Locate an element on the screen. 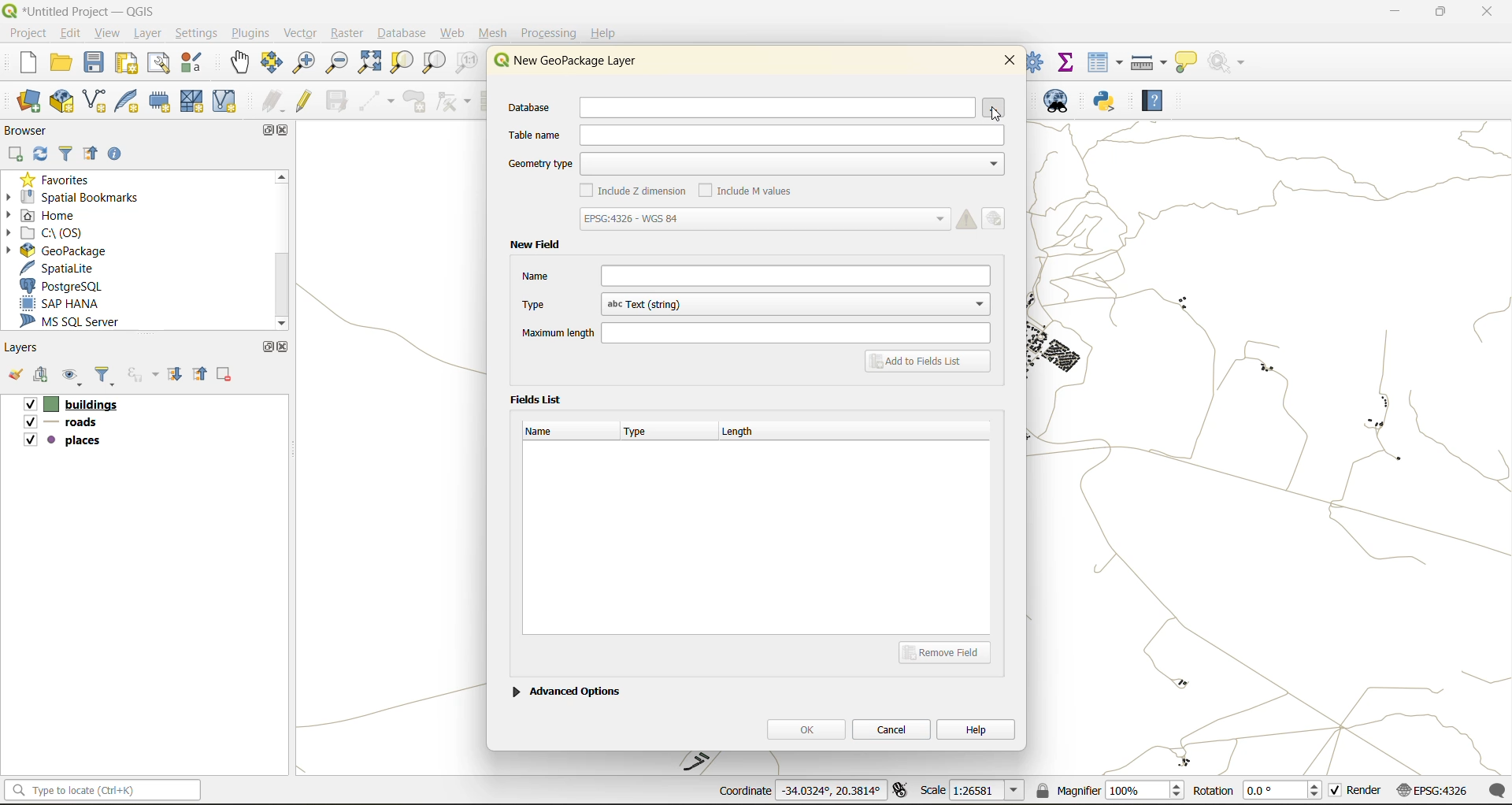  roads is located at coordinates (64, 425).